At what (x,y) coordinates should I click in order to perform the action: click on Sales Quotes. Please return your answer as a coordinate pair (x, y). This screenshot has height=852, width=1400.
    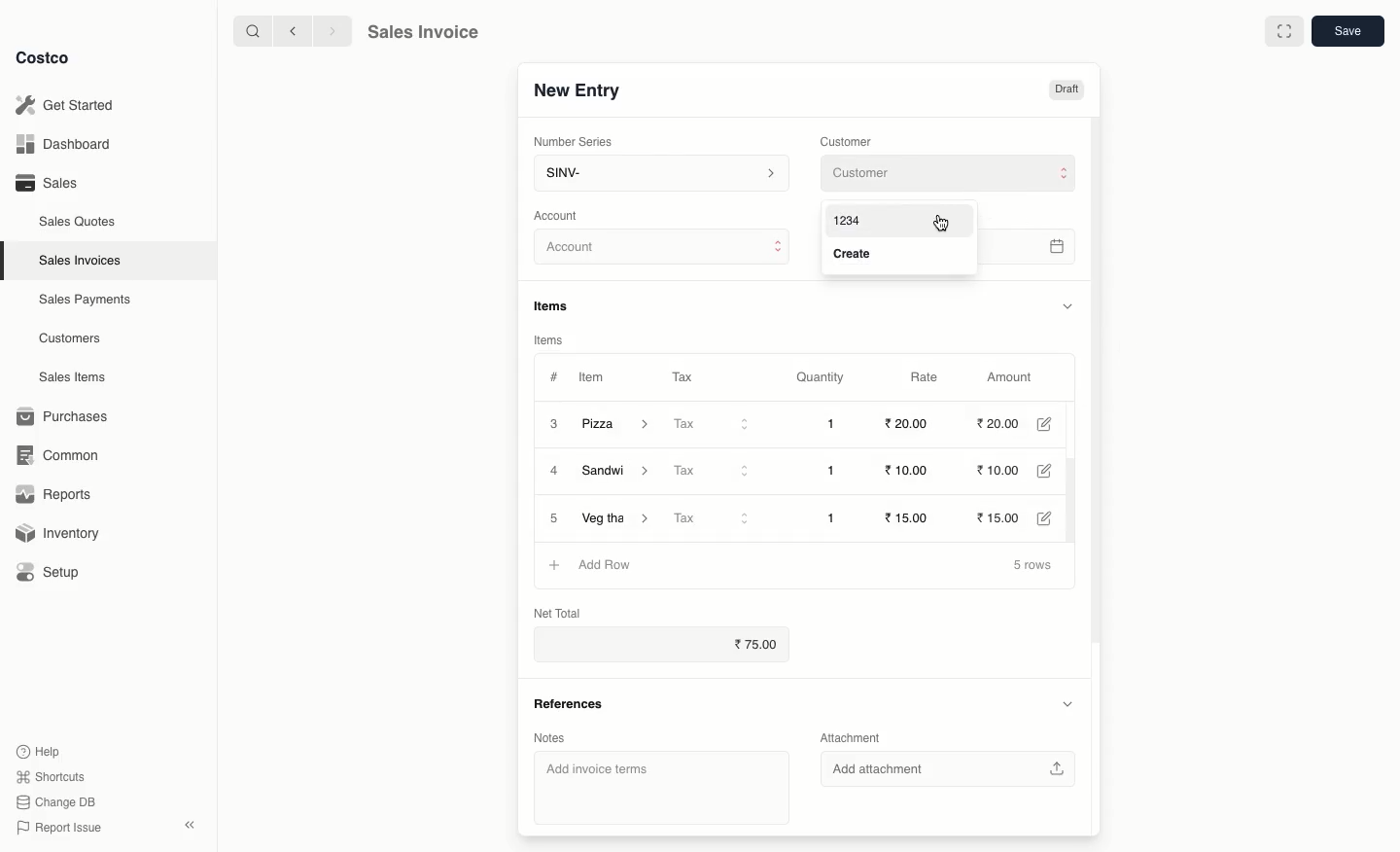
    Looking at the image, I should click on (80, 221).